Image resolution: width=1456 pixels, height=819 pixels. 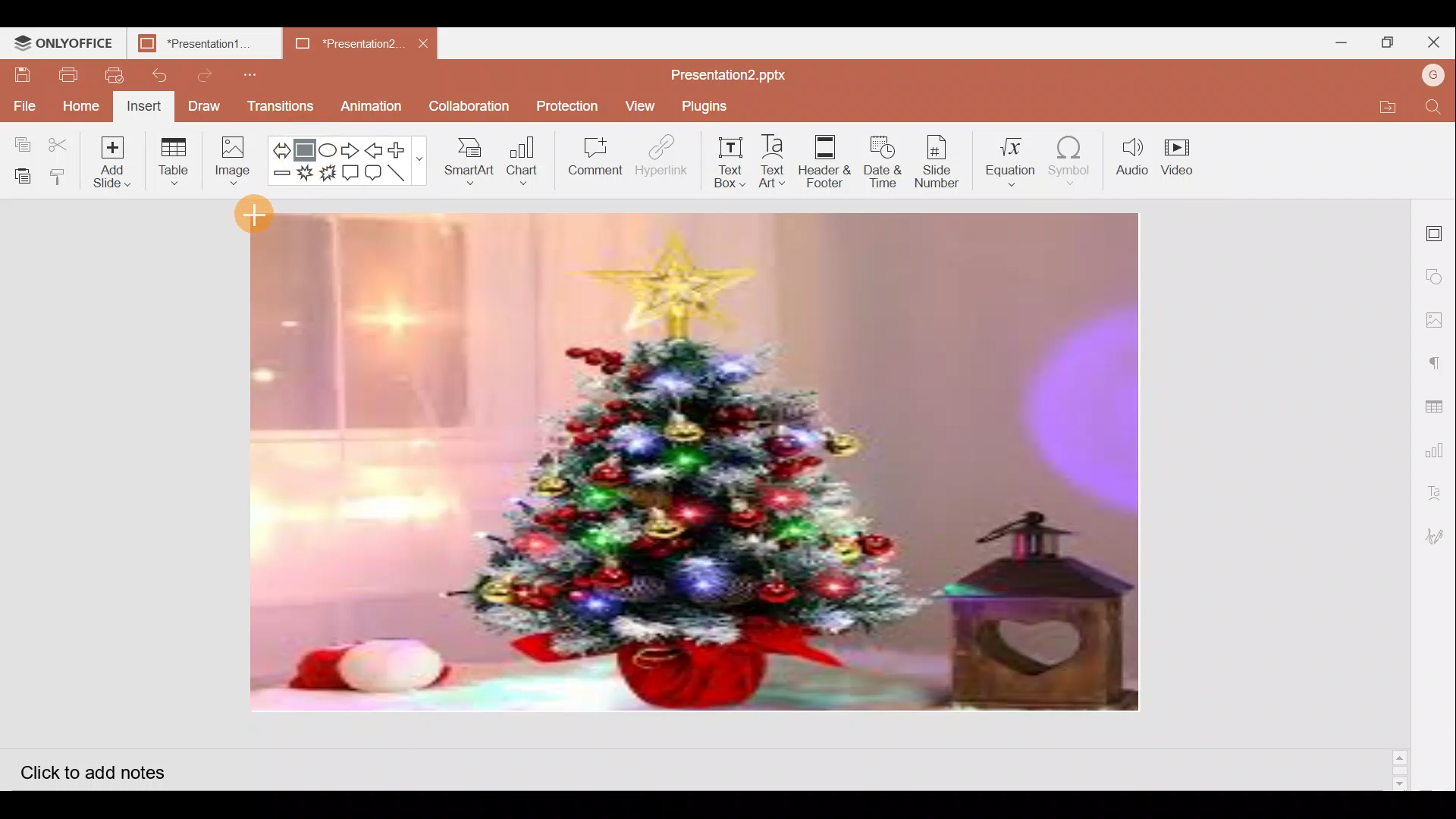 What do you see at coordinates (1438, 398) in the screenshot?
I see `Table settings` at bounding box center [1438, 398].